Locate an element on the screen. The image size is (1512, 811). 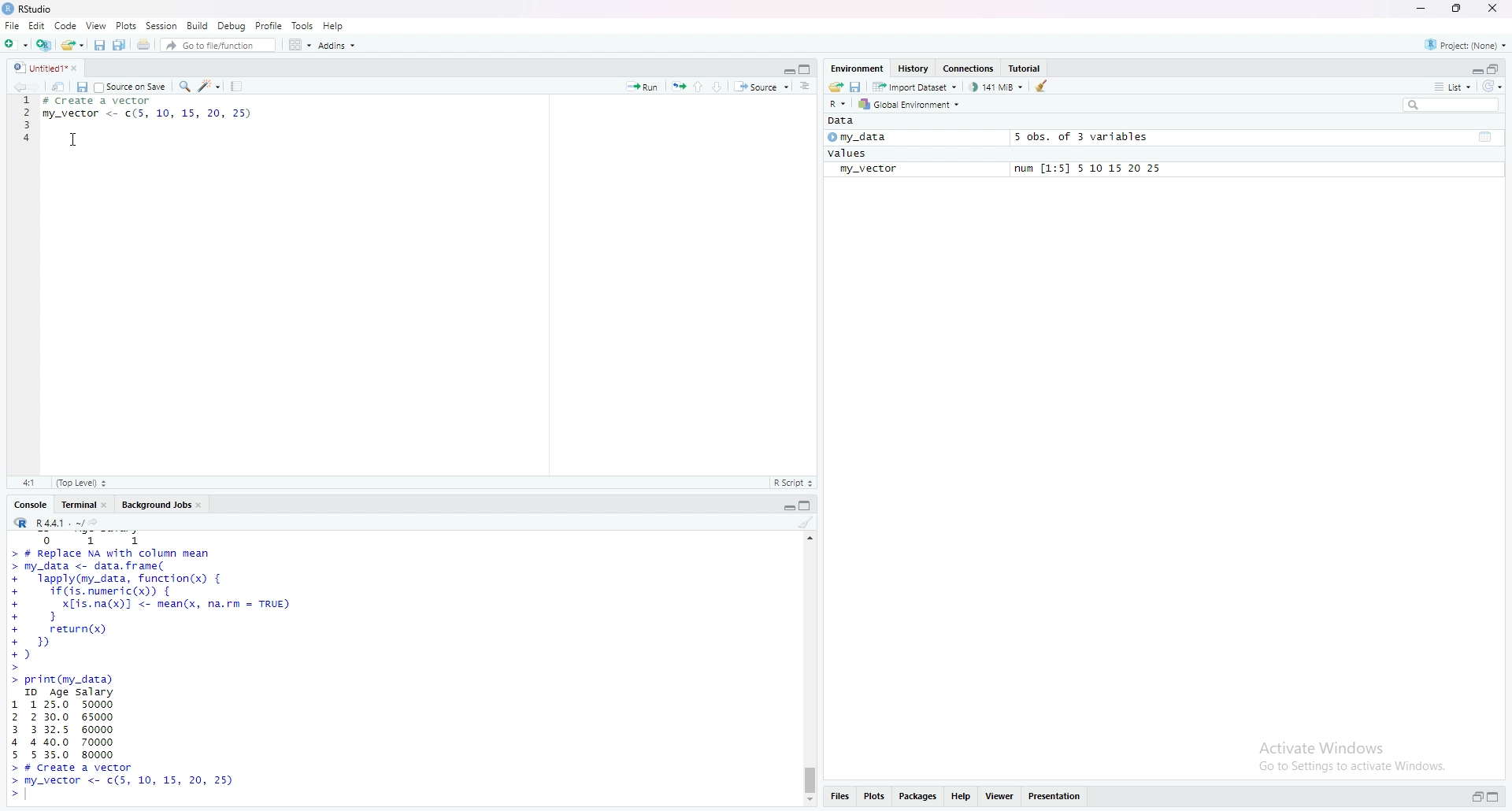
expand is located at coordinates (787, 71).